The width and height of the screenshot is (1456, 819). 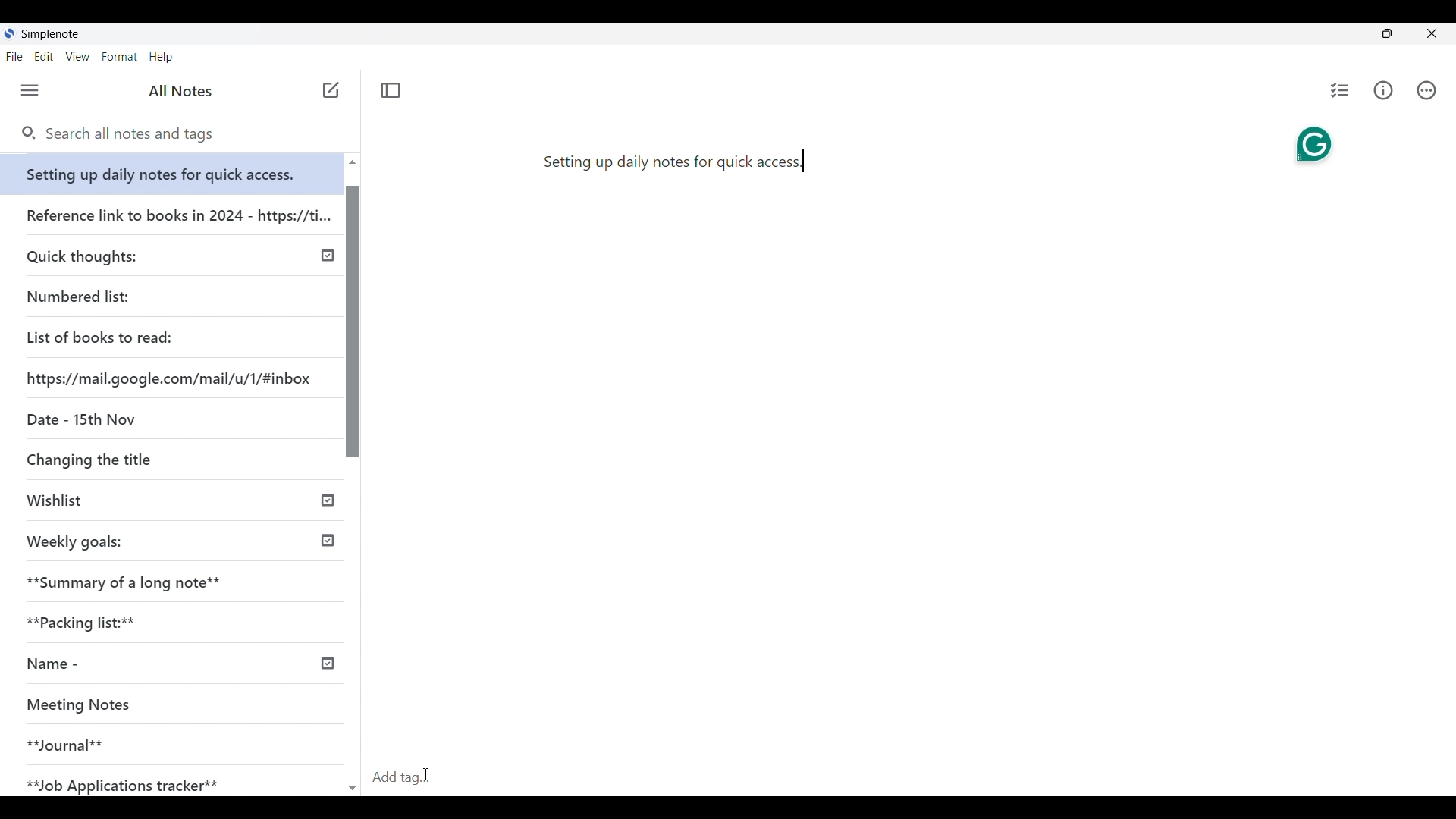 What do you see at coordinates (153, 706) in the screenshot?
I see `Meeting Notes` at bounding box center [153, 706].